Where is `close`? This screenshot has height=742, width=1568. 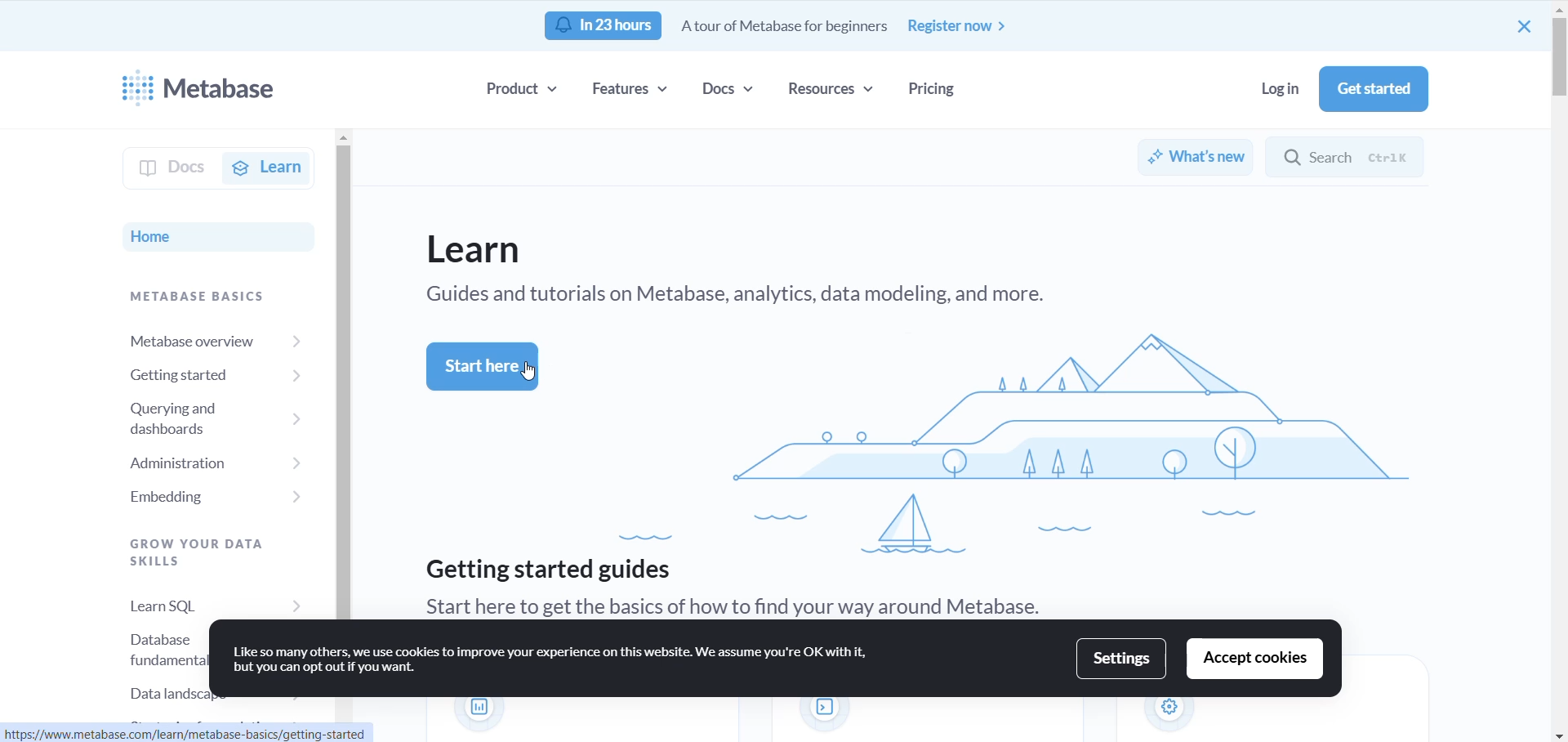 close is located at coordinates (1523, 27).